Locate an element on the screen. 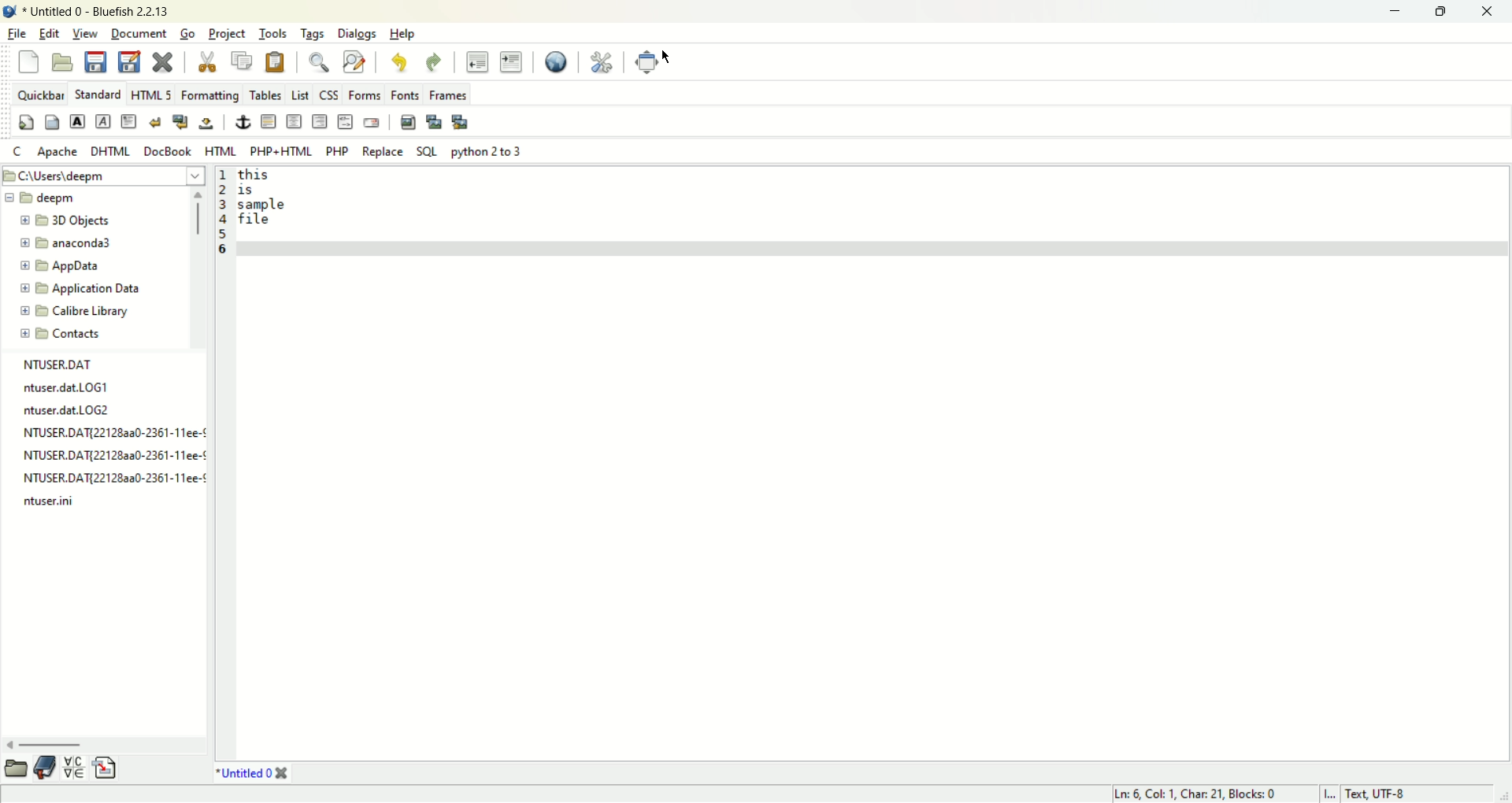 The width and height of the screenshot is (1512, 803). quick start is located at coordinates (27, 122).